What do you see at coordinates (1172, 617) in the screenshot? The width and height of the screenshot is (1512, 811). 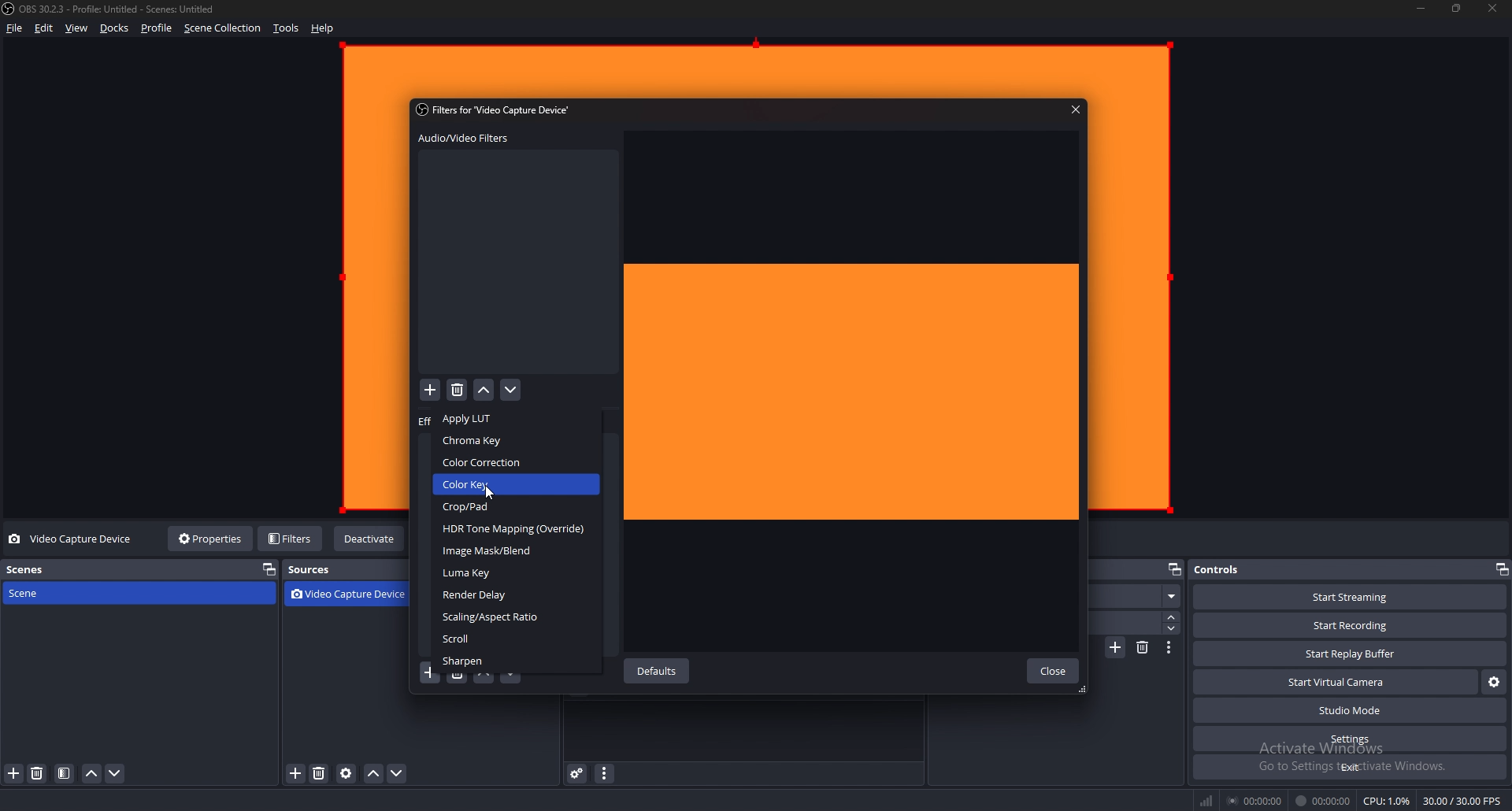 I see `increase duration` at bounding box center [1172, 617].